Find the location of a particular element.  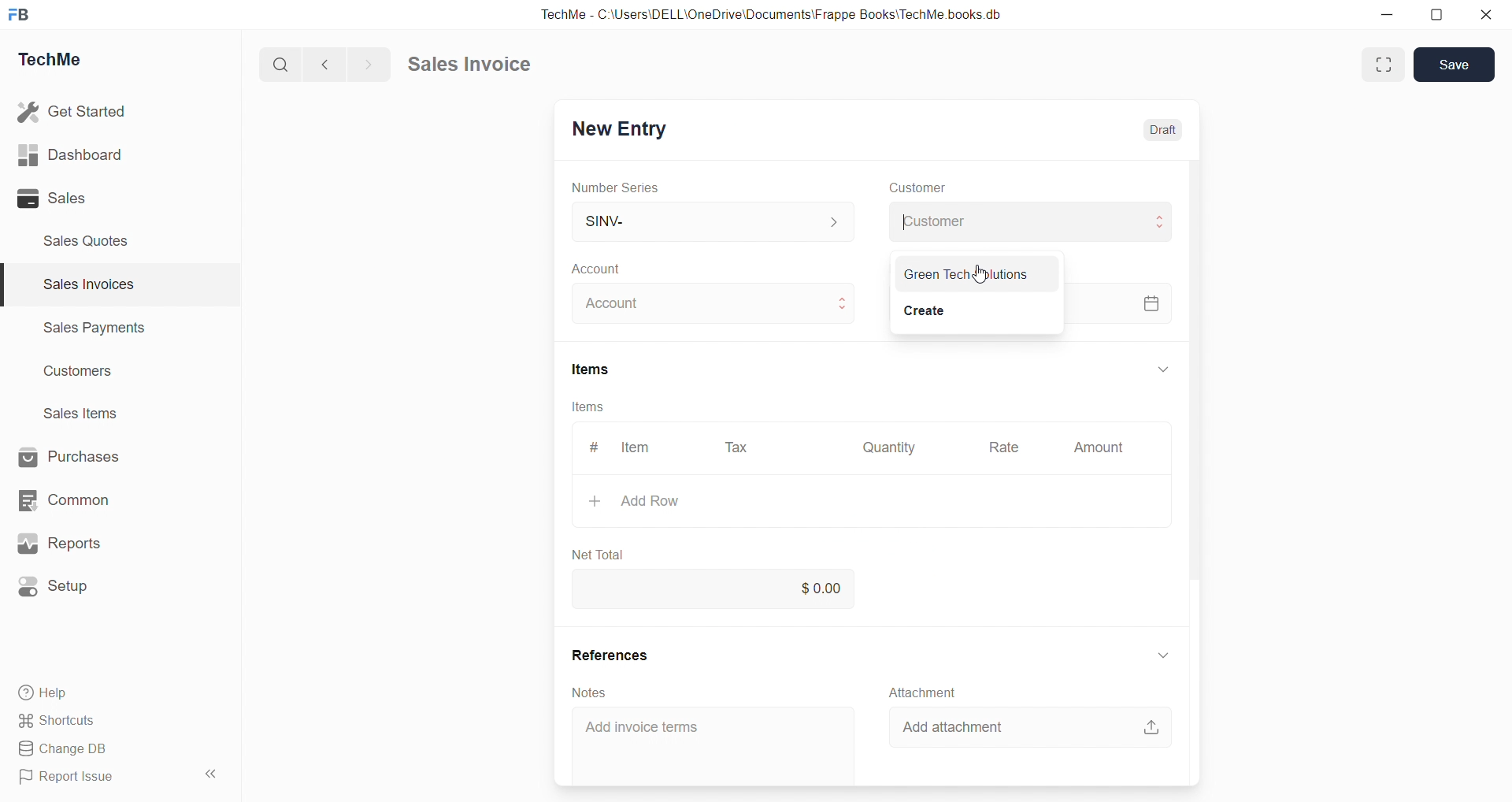

Report Issue is located at coordinates (71, 774).